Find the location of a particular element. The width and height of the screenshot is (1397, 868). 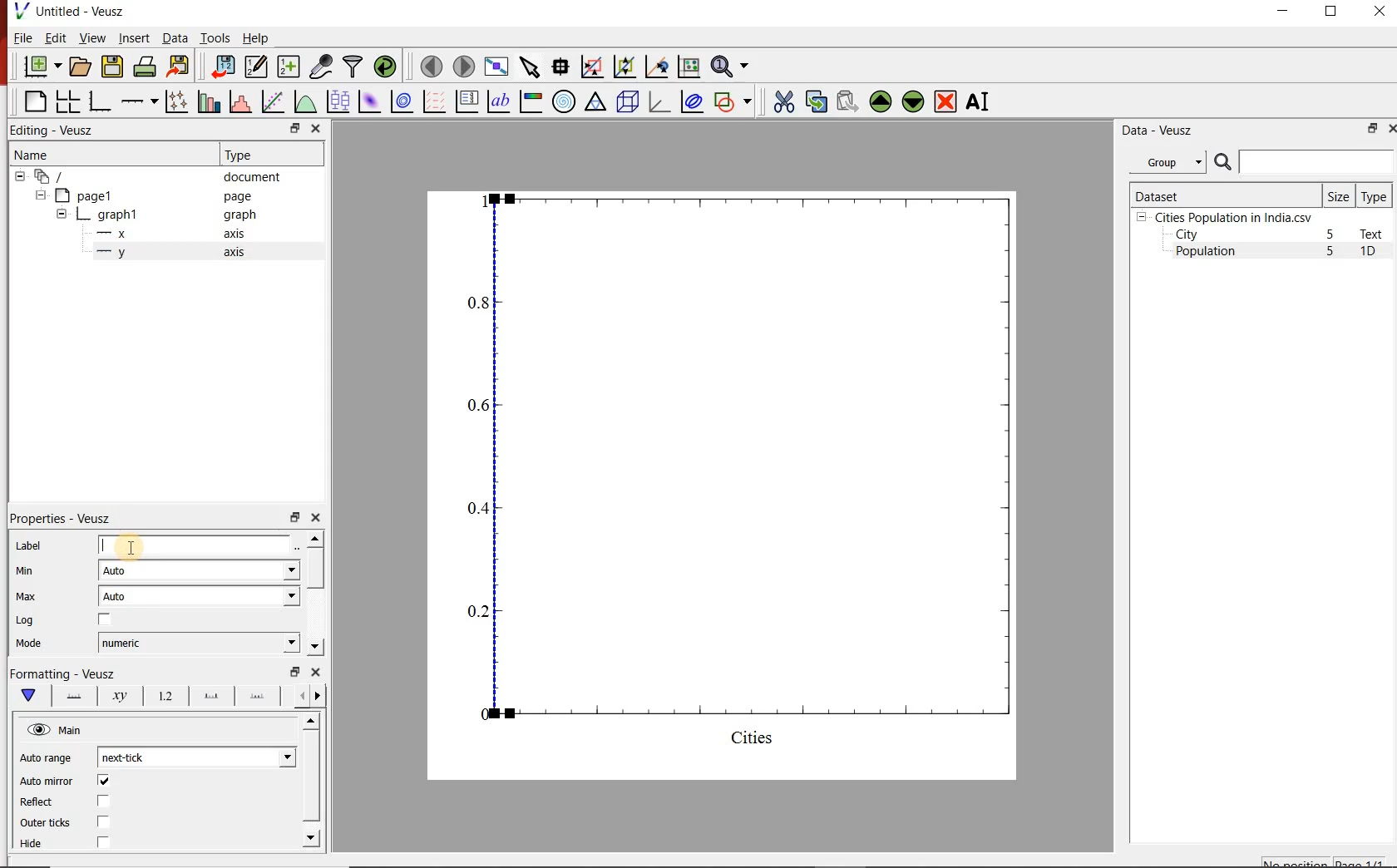

check/uncheck is located at coordinates (104, 801).